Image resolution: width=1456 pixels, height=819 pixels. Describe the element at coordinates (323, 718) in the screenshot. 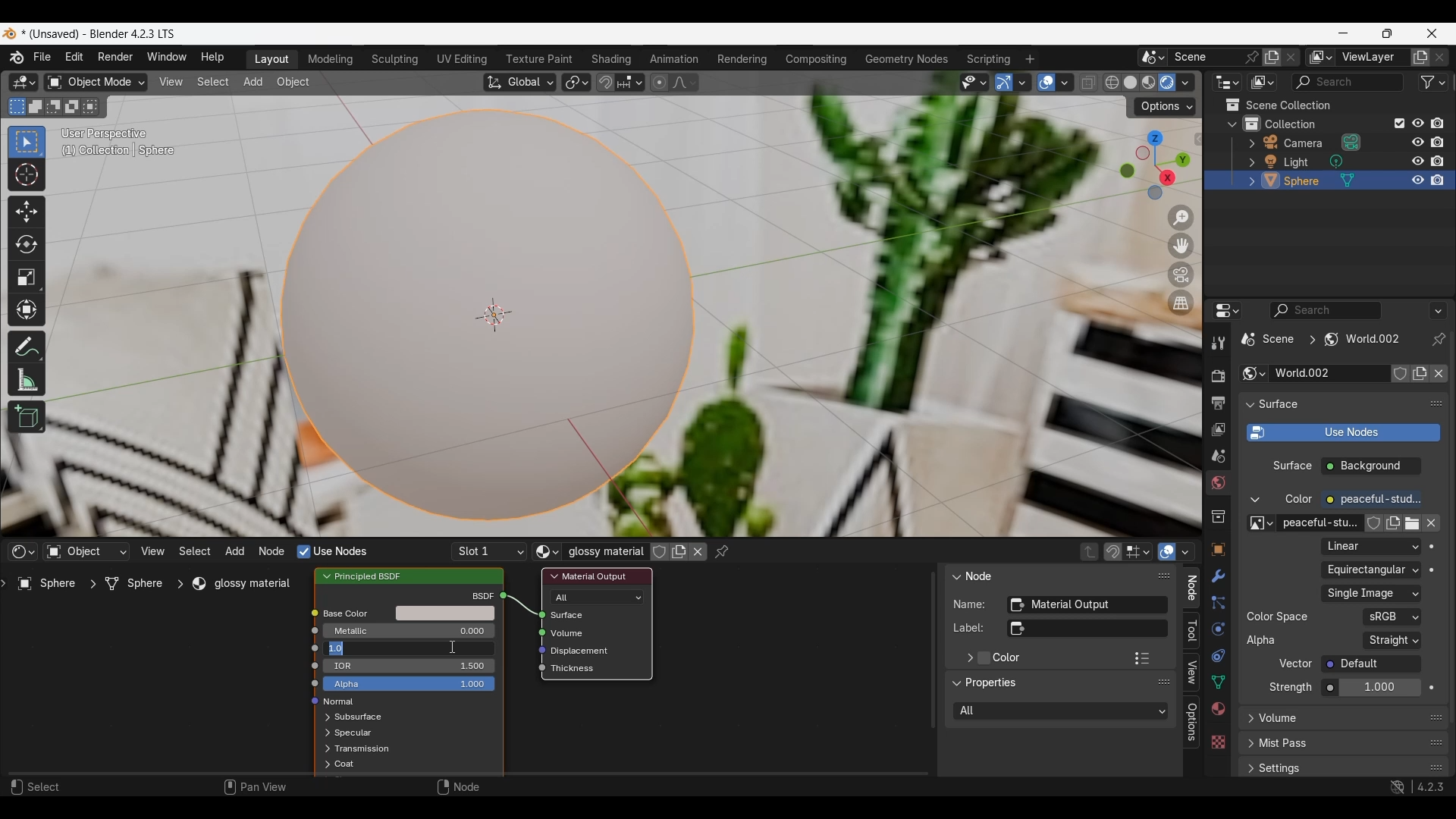

I see `Expand respective options` at that location.